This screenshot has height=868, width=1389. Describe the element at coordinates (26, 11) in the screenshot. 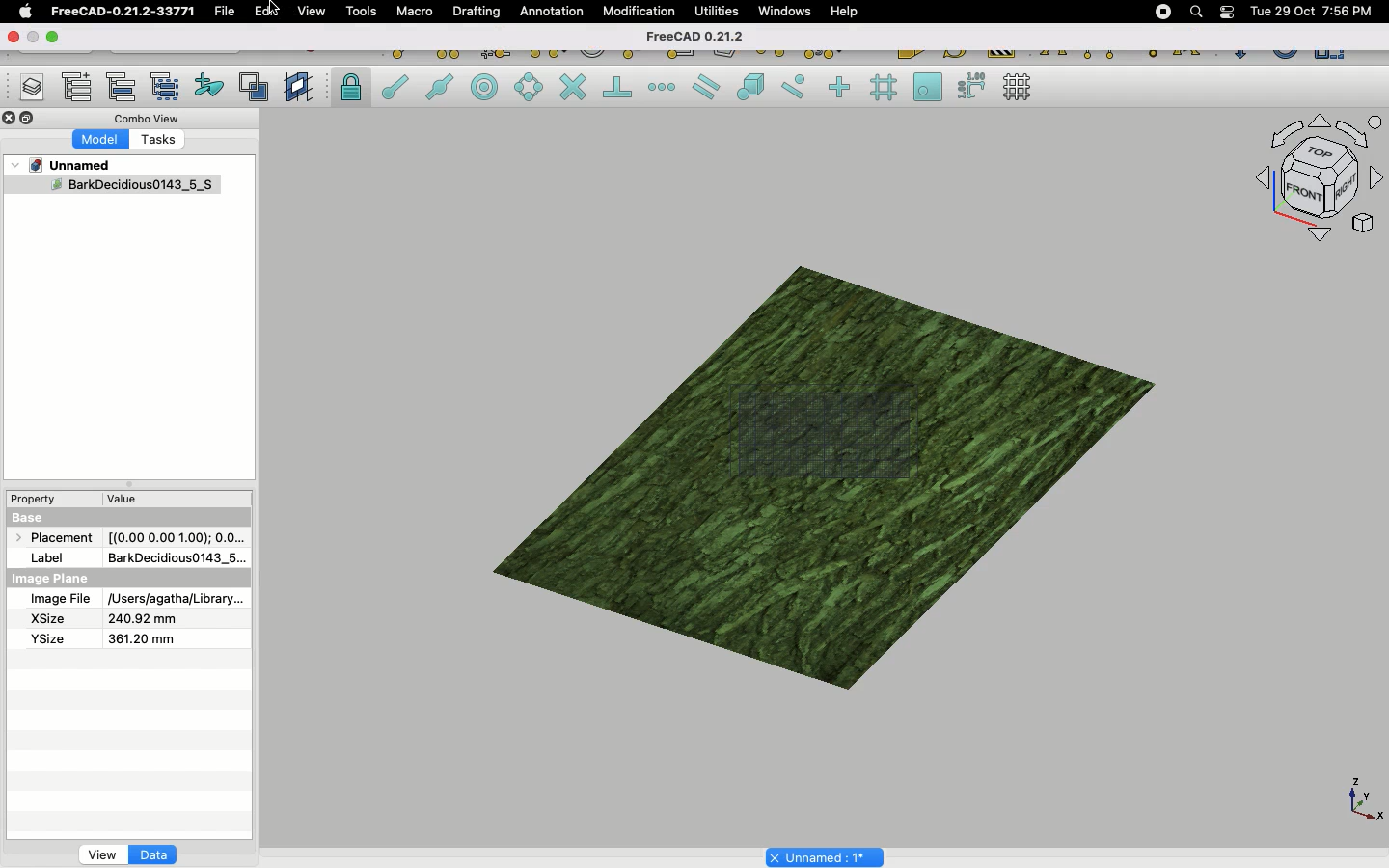

I see `Apple log` at that location.